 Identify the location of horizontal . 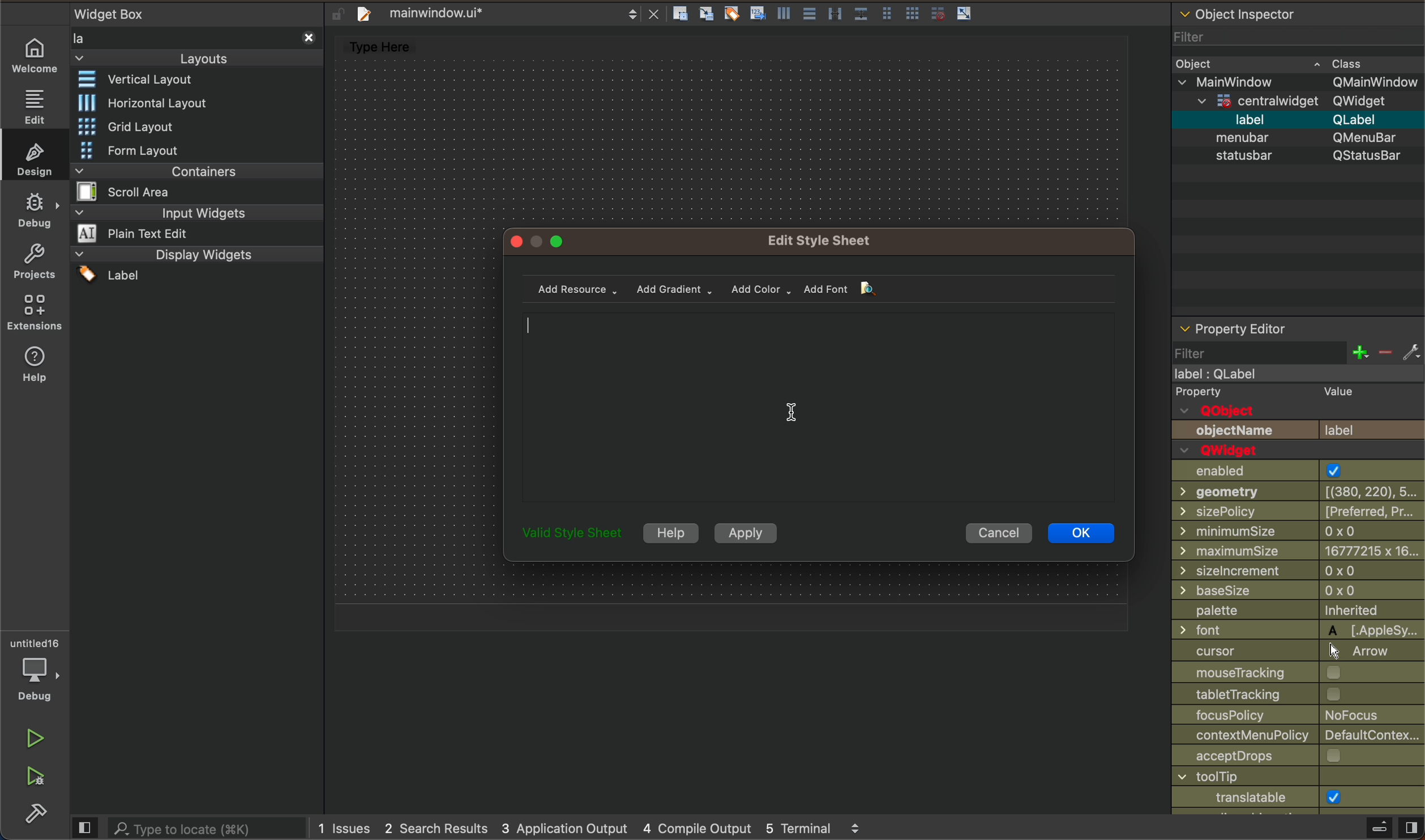
(143, 102).